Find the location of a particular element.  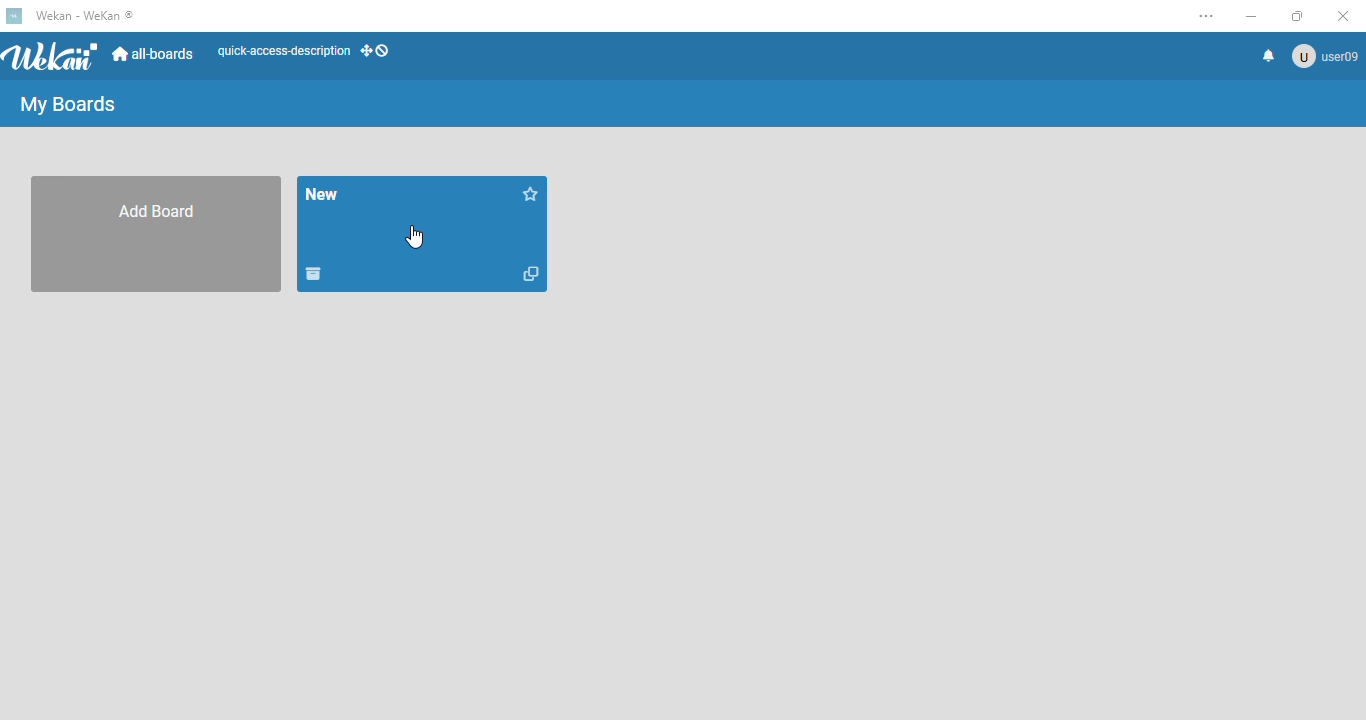

new is located at coordinates (323, 194).